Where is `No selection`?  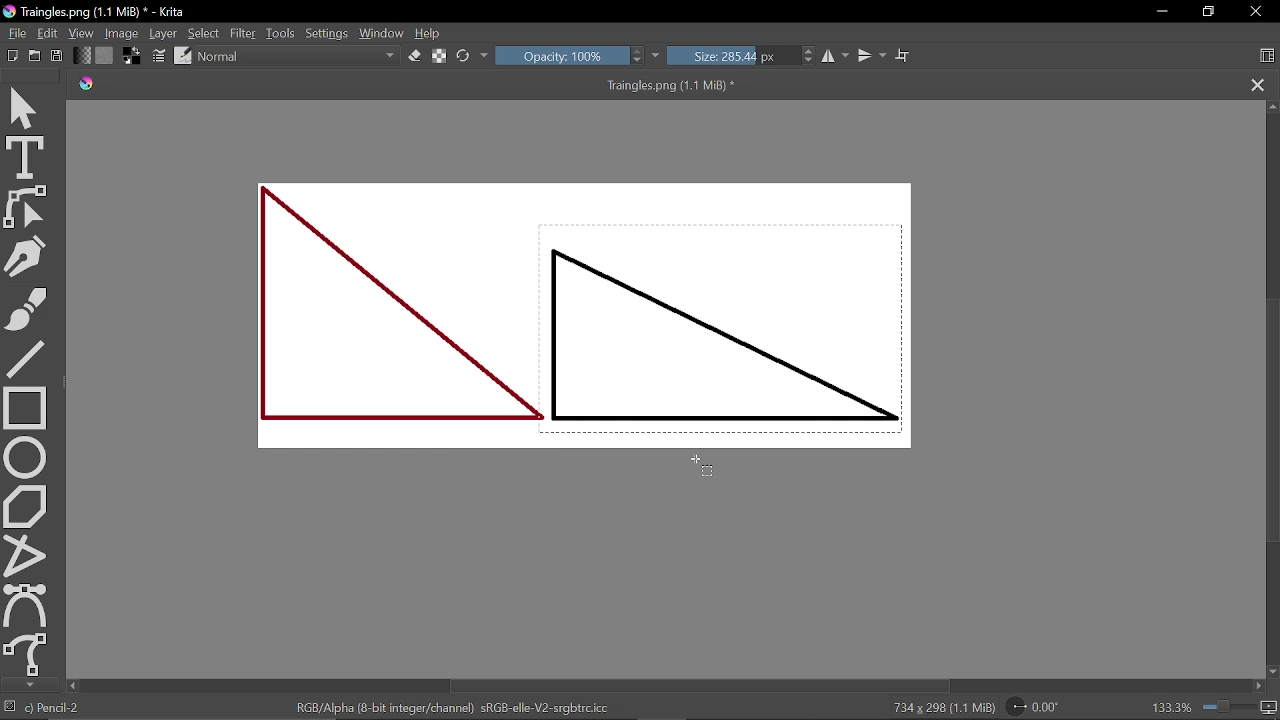
No selection is located at coordinates (10, 708).